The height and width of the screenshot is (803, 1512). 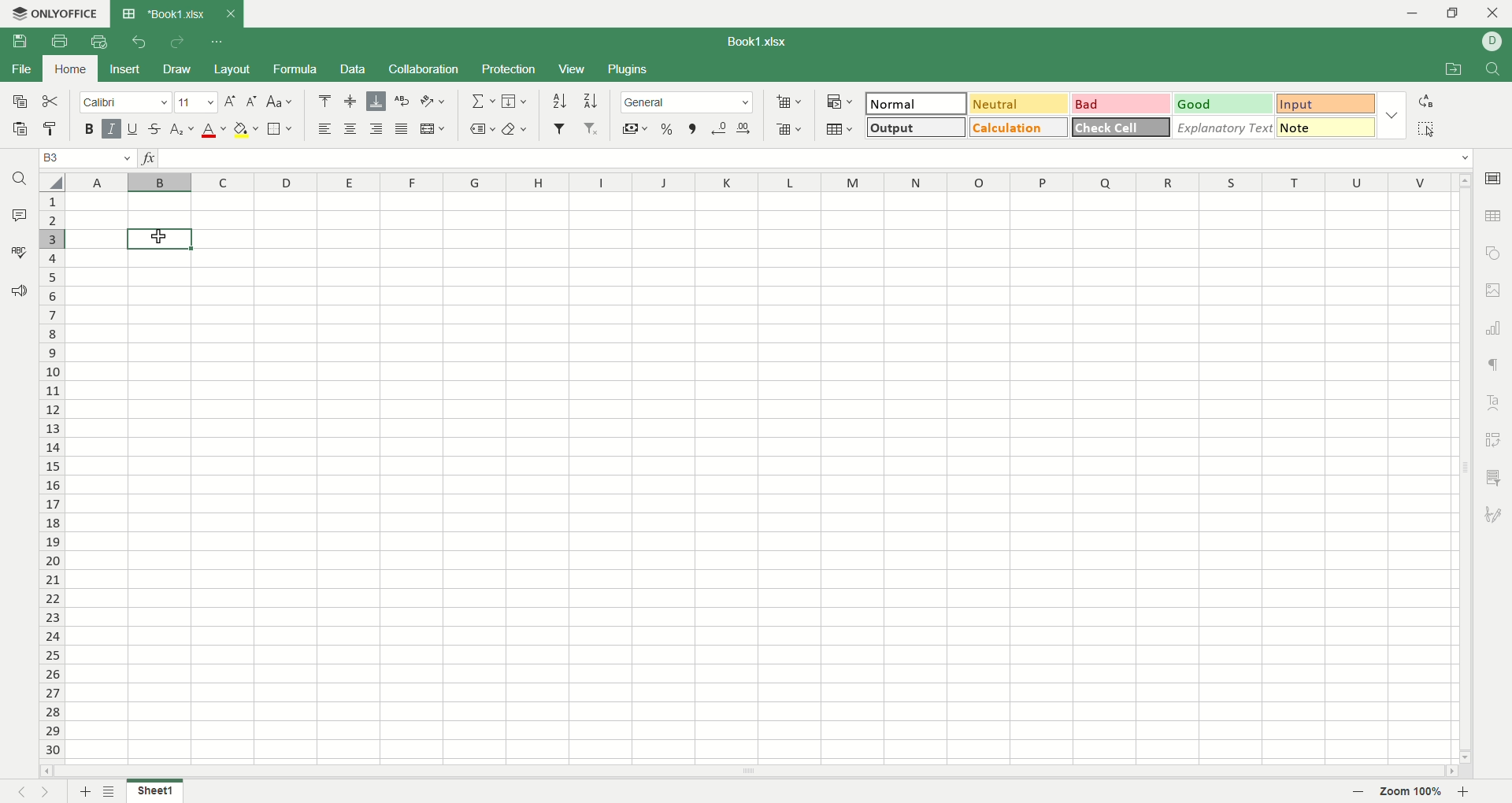 I want to click on subscript/superscript, so click(x=183, y=129).